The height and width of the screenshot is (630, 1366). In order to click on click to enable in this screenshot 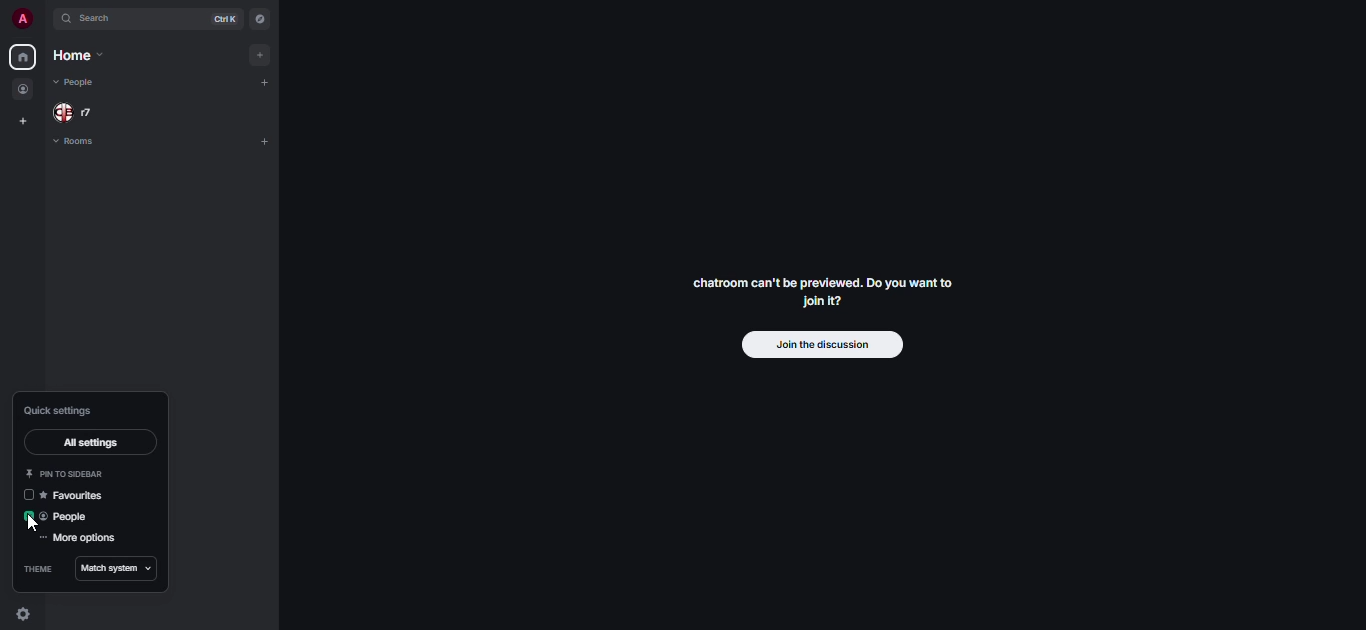, I will do `click(28, 496)`.